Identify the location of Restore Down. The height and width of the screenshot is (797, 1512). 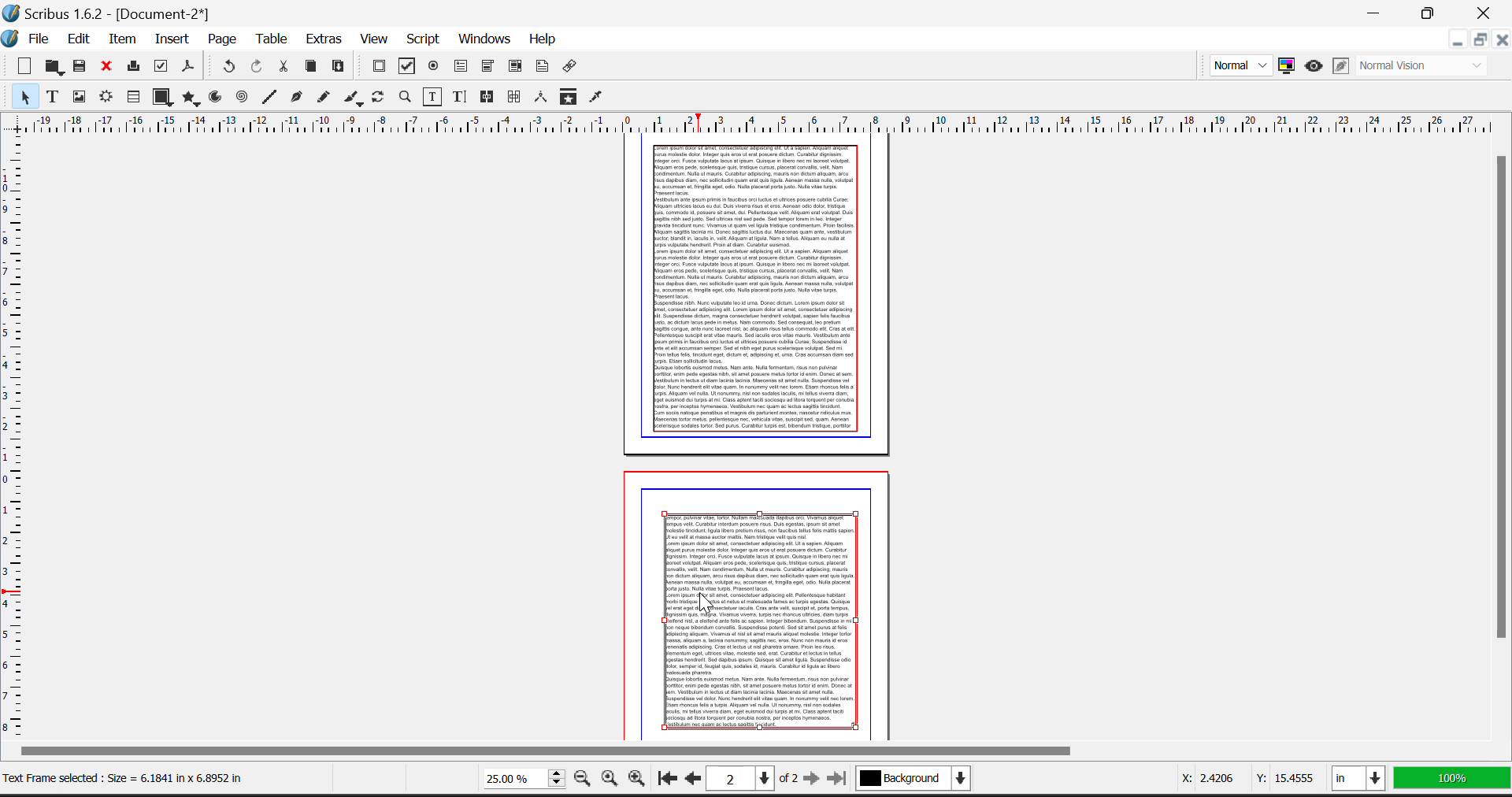
(1456, 42).